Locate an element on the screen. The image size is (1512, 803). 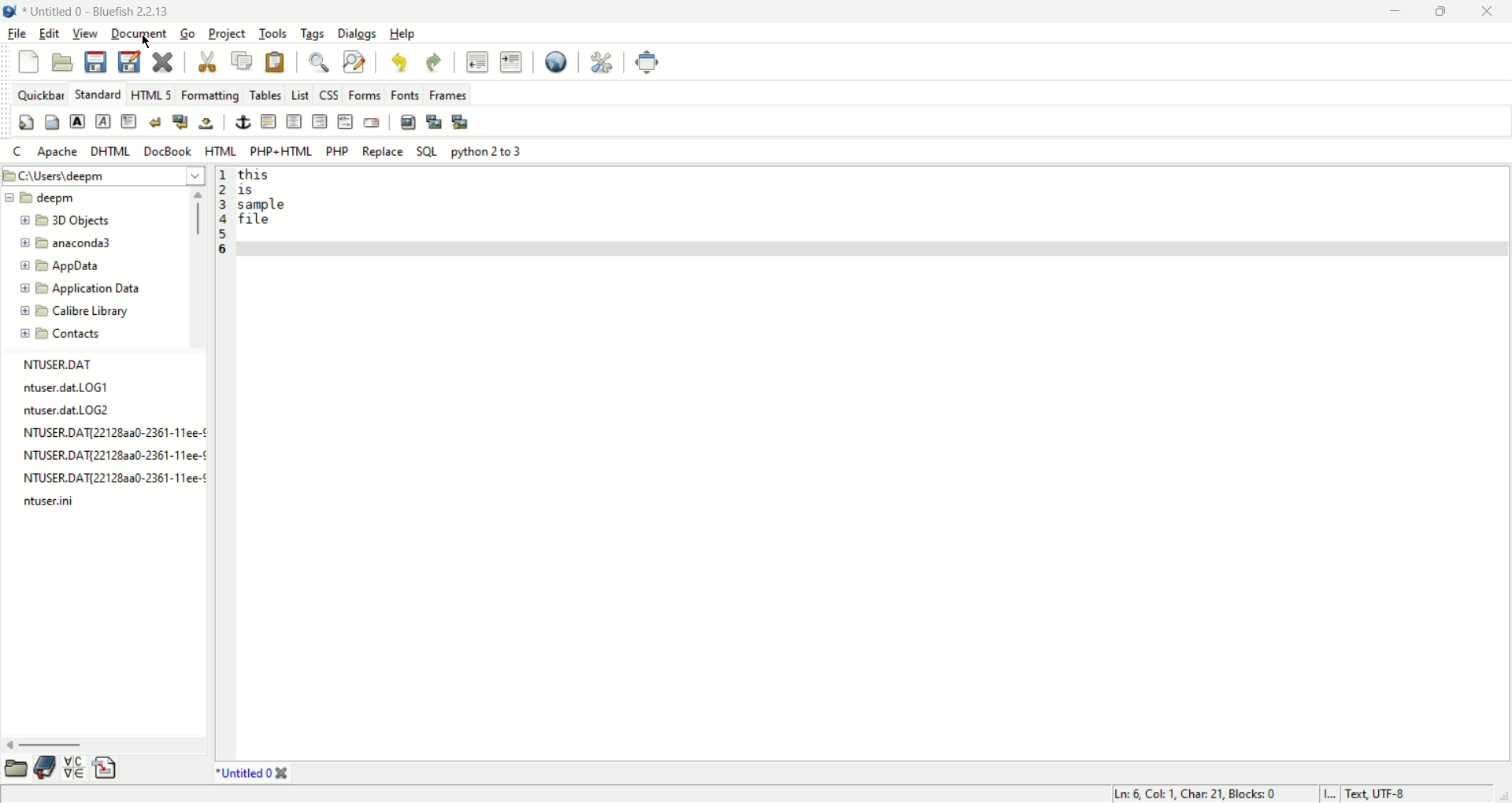
frames is located at coordinates (447, 95).